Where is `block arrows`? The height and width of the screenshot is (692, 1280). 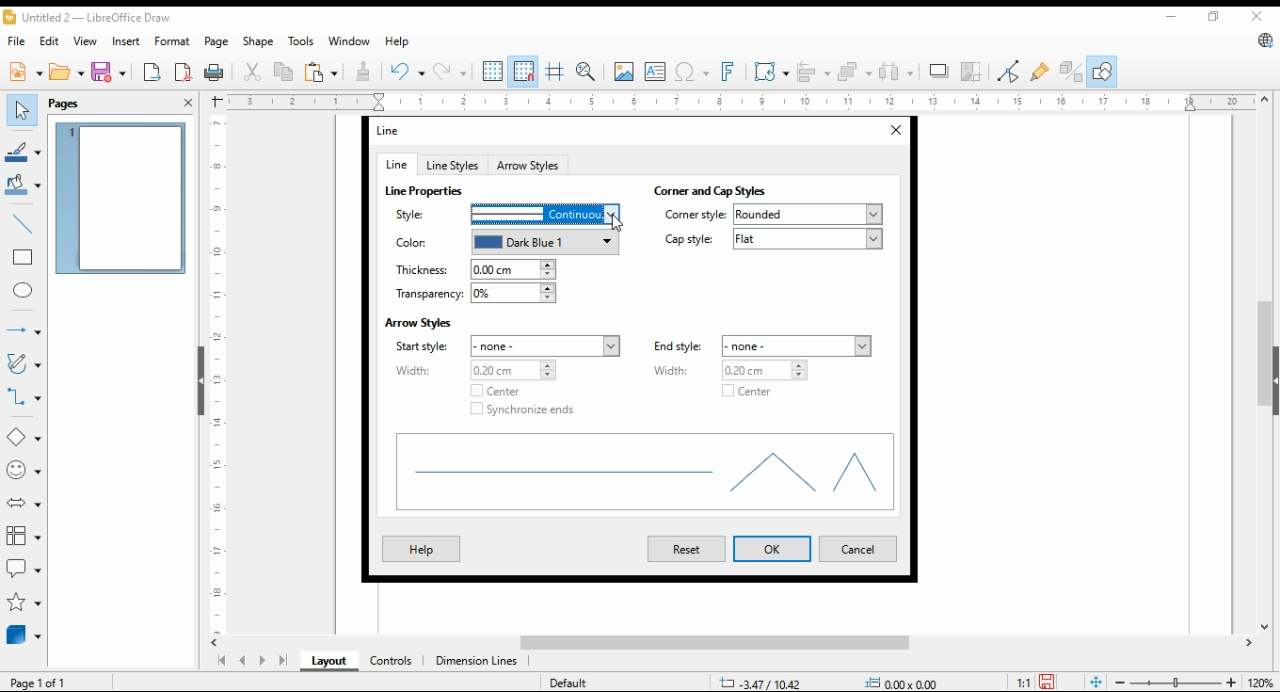
block arrows is located at coordinates (26, 503).